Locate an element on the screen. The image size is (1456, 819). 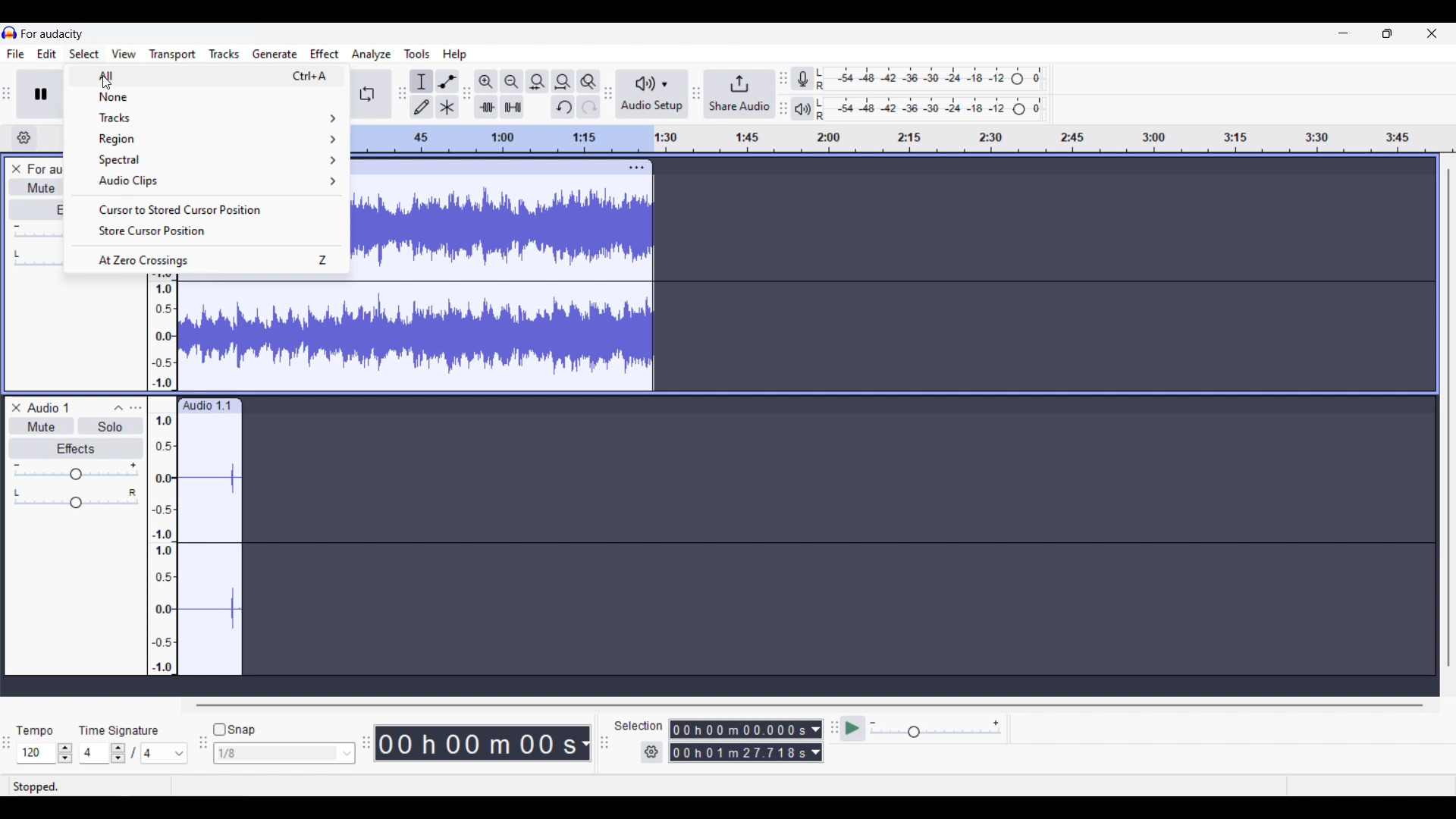
mute is located at coordinates (41, 427).